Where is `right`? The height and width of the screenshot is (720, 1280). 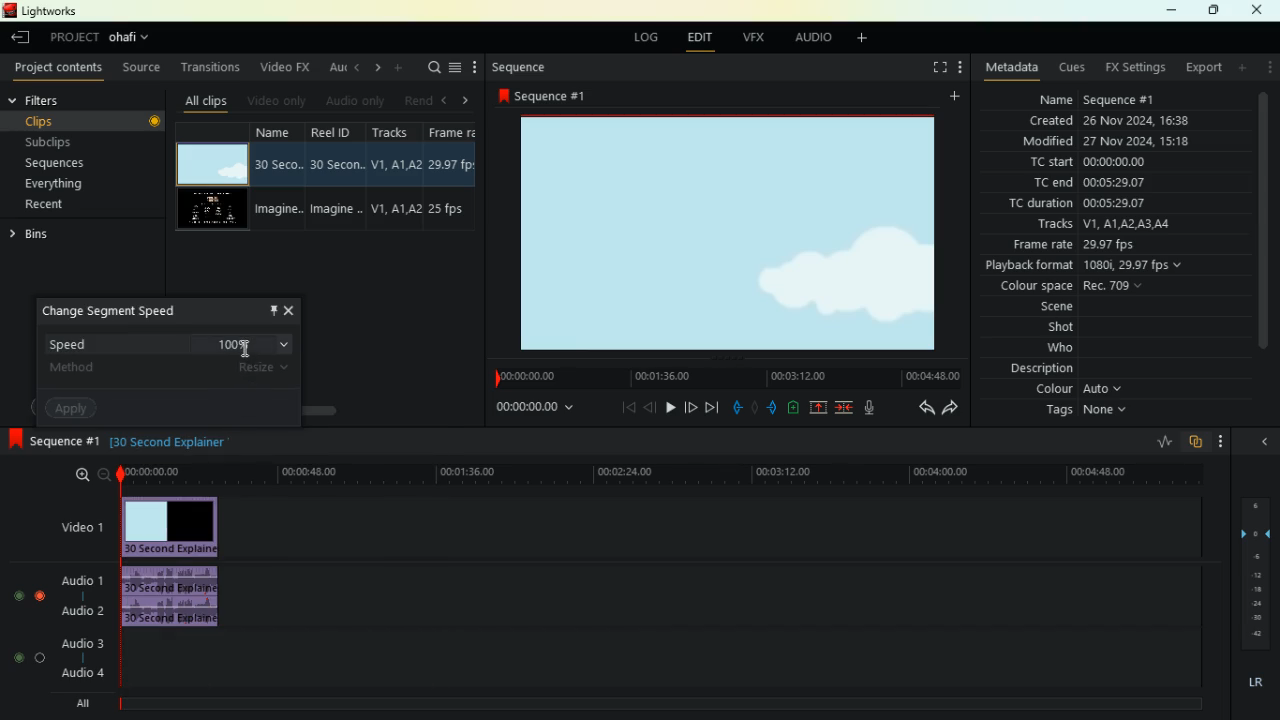
right is located at coordinates (379, 67).